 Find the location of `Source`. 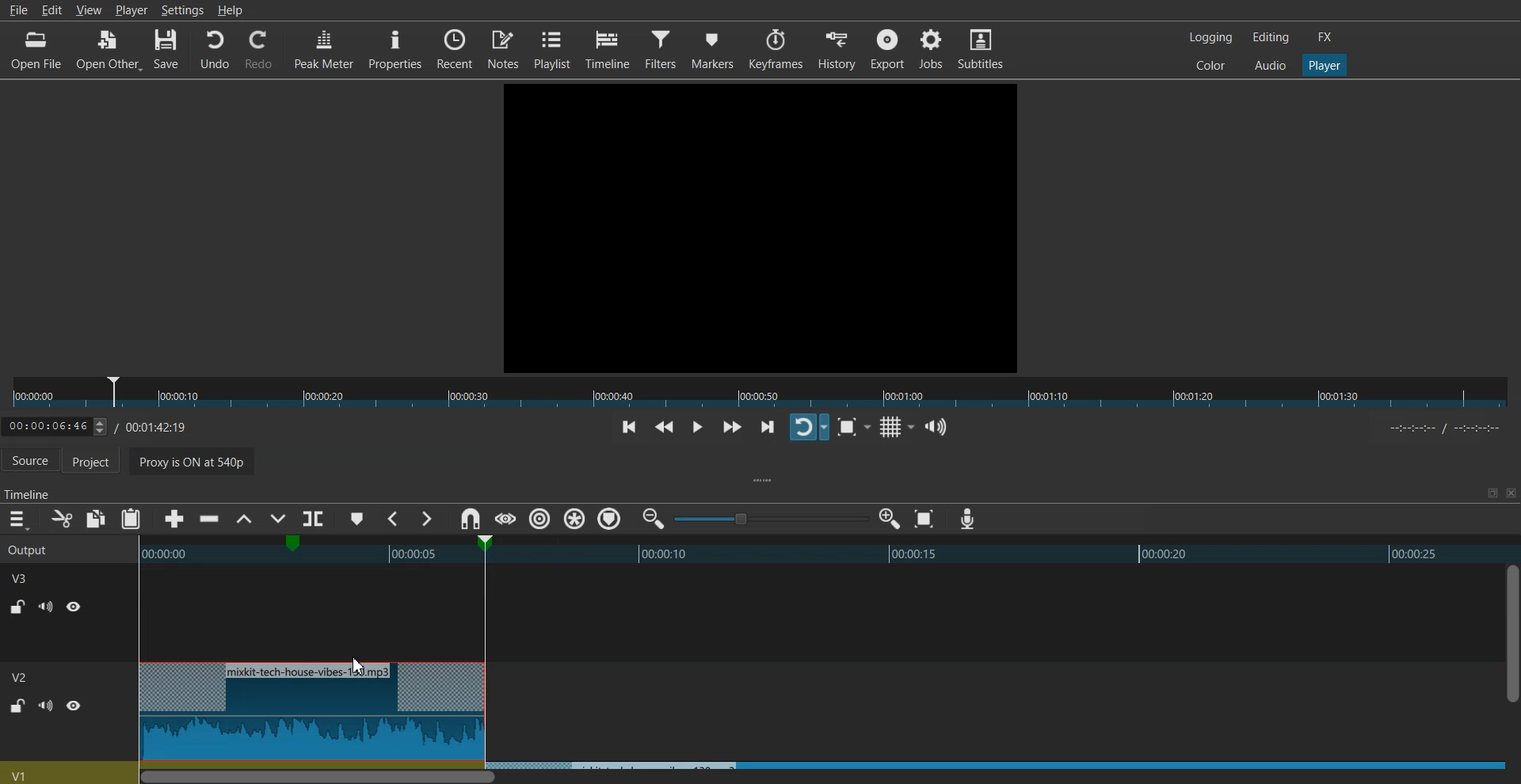

Source is located at coordinates (30, 462).